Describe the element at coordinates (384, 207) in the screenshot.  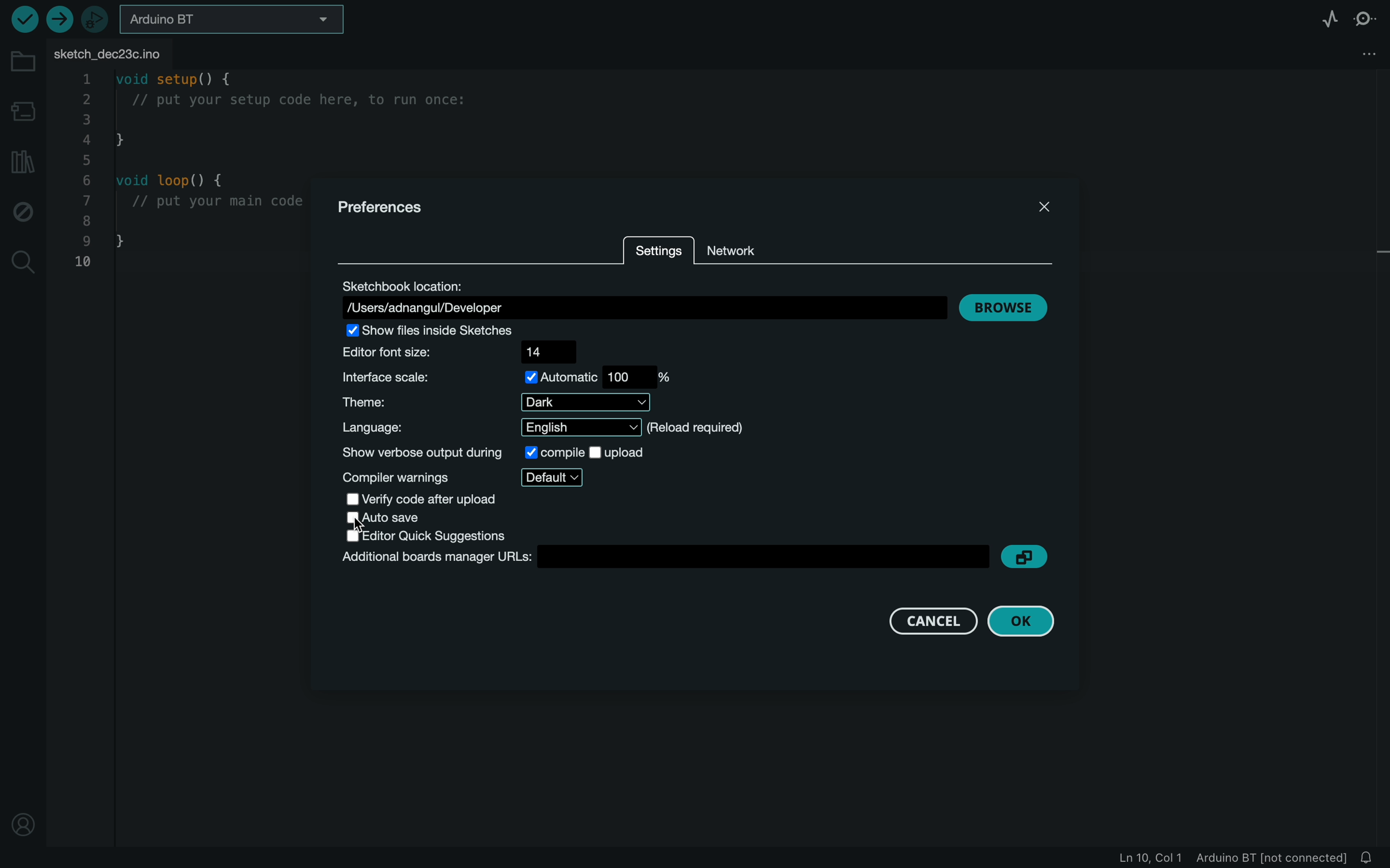
I see `preferences` at that location.